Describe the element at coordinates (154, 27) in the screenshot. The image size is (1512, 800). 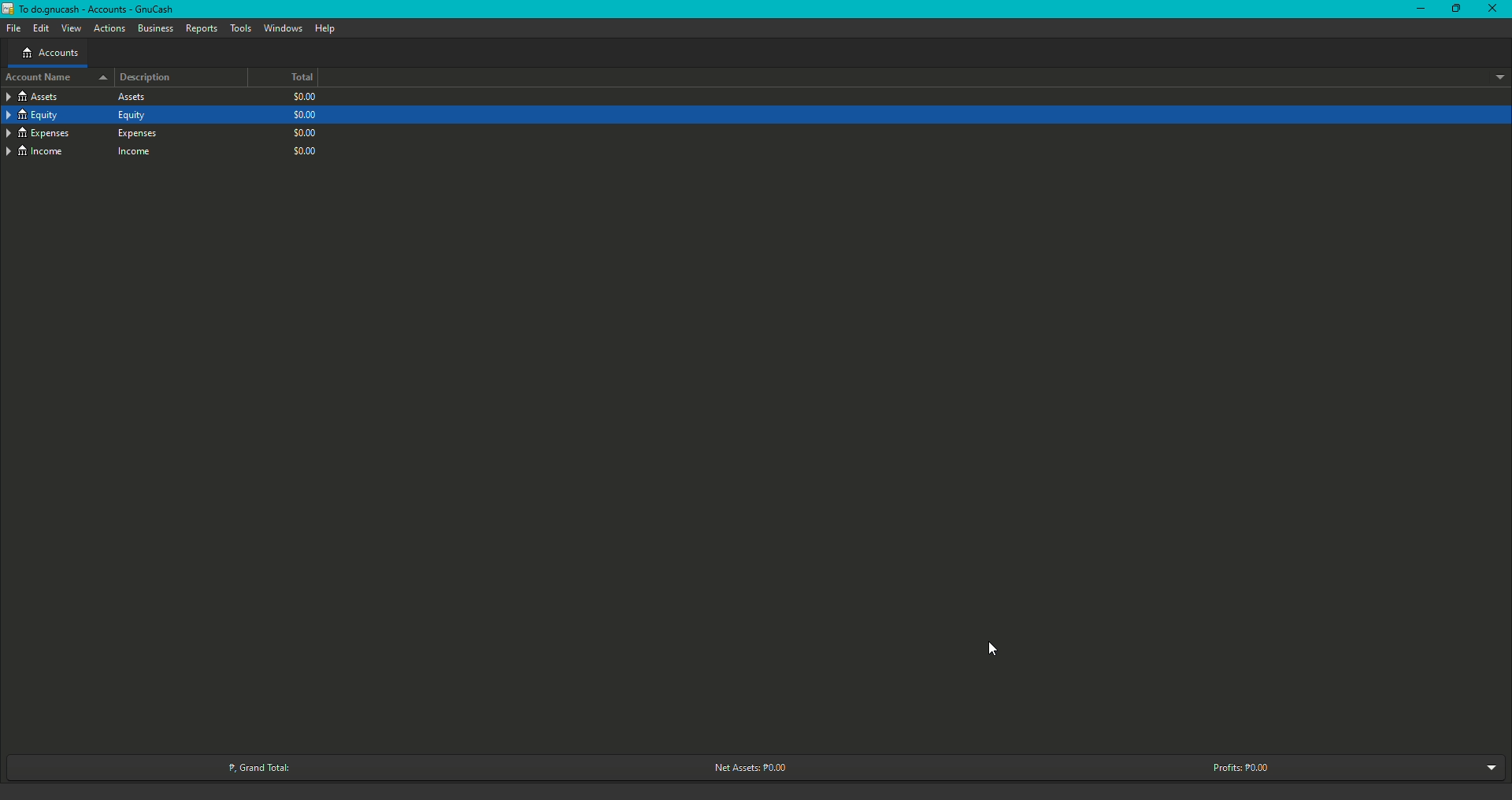
I see `Business` at that location.